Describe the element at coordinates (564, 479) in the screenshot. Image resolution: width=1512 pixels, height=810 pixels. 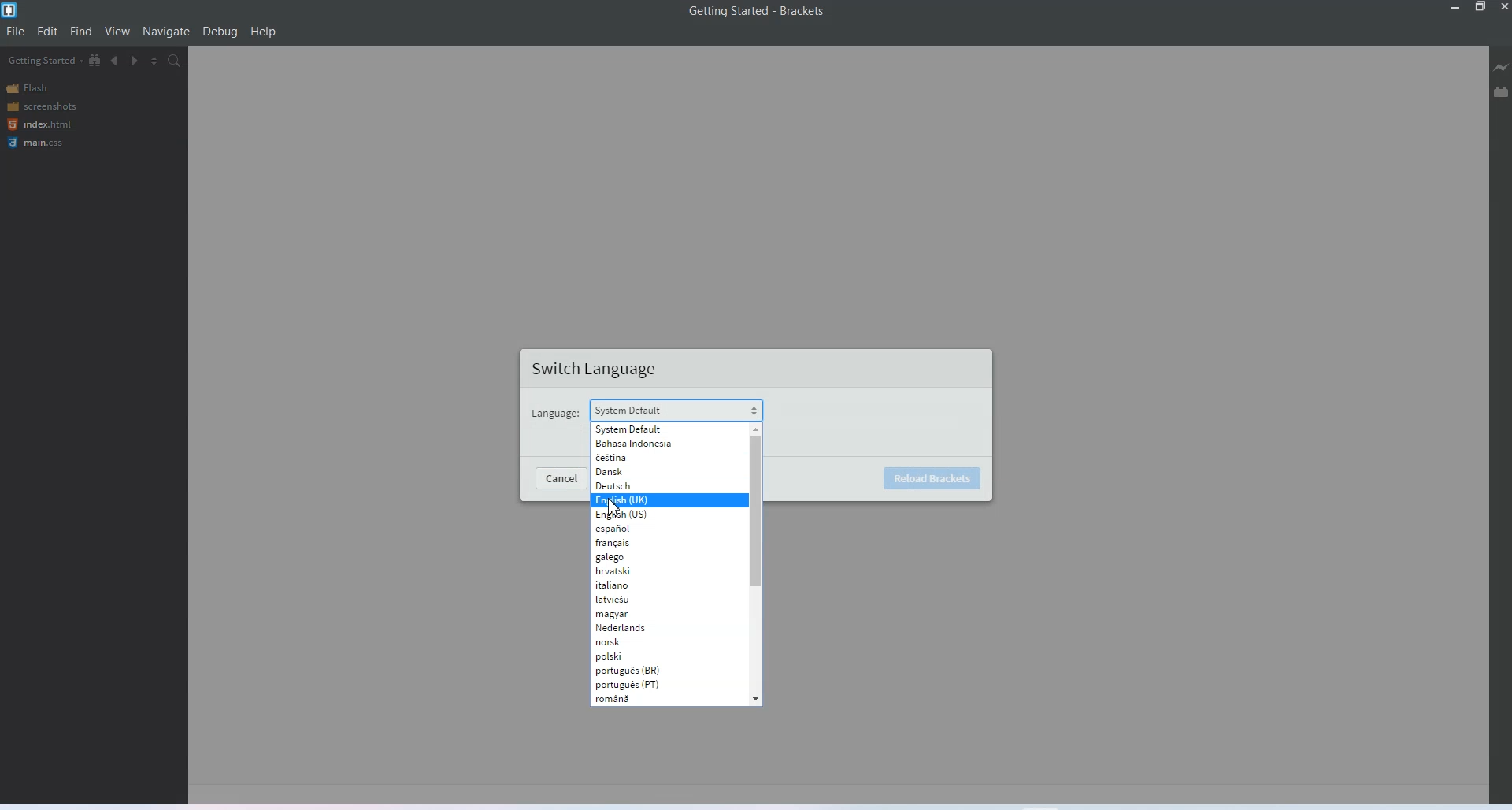
I see `cancel` at that location.